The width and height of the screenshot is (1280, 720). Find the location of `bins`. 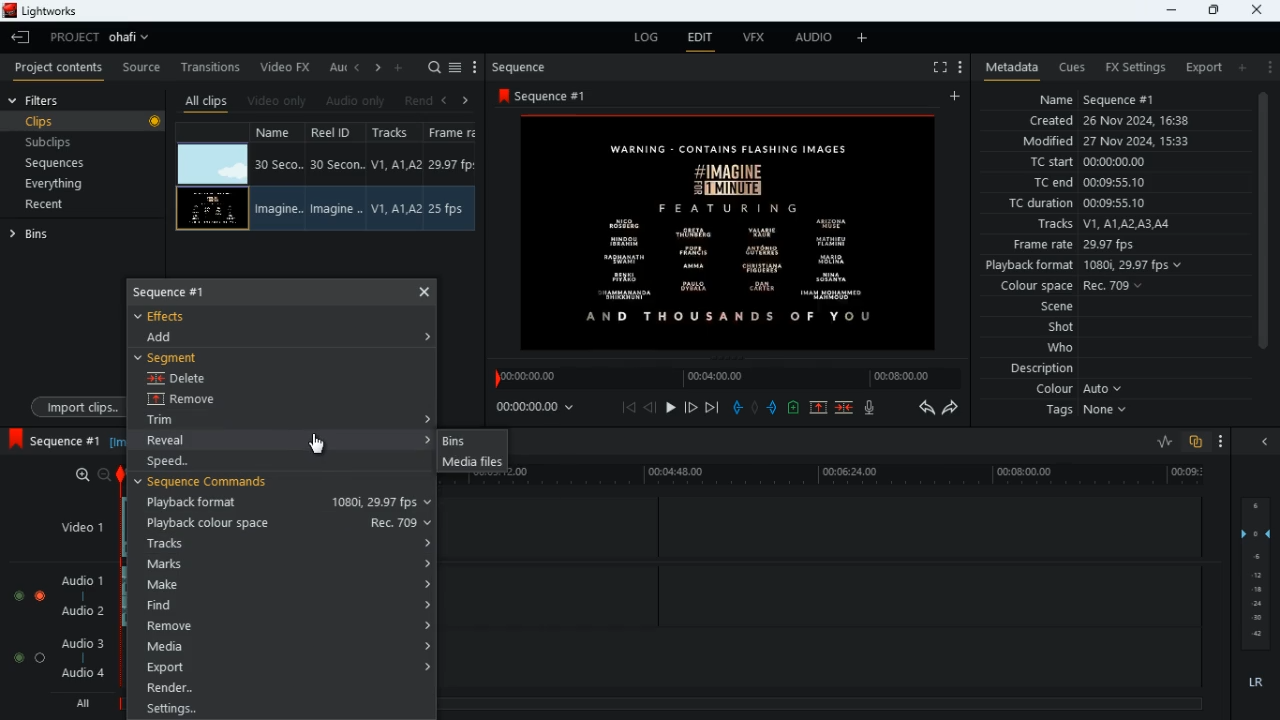

bins is located at coordinates (39, 238).